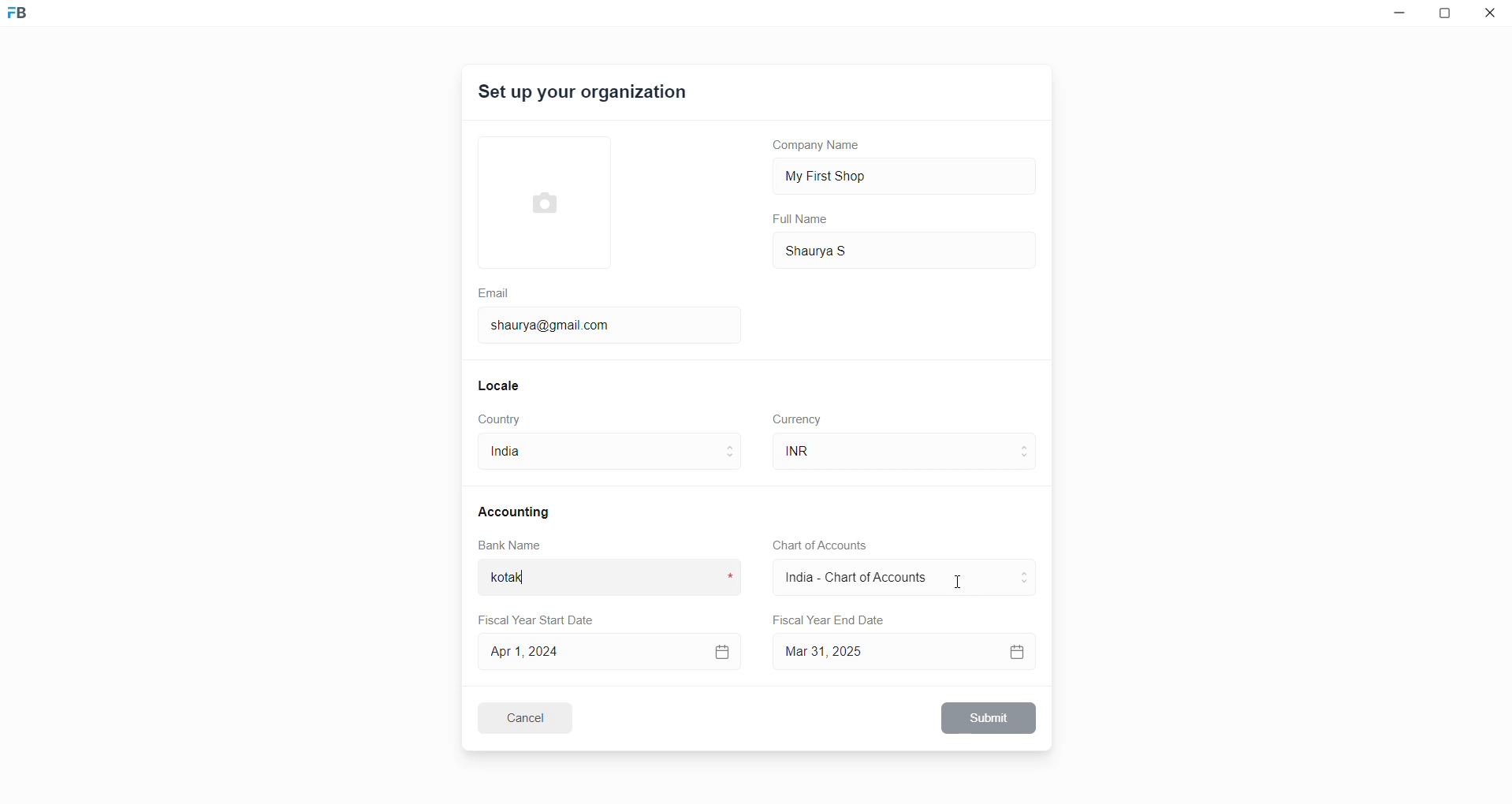 Image resolution: width=1512 pixels, height=804 pixels. I want to click on India, so click(532, 455).